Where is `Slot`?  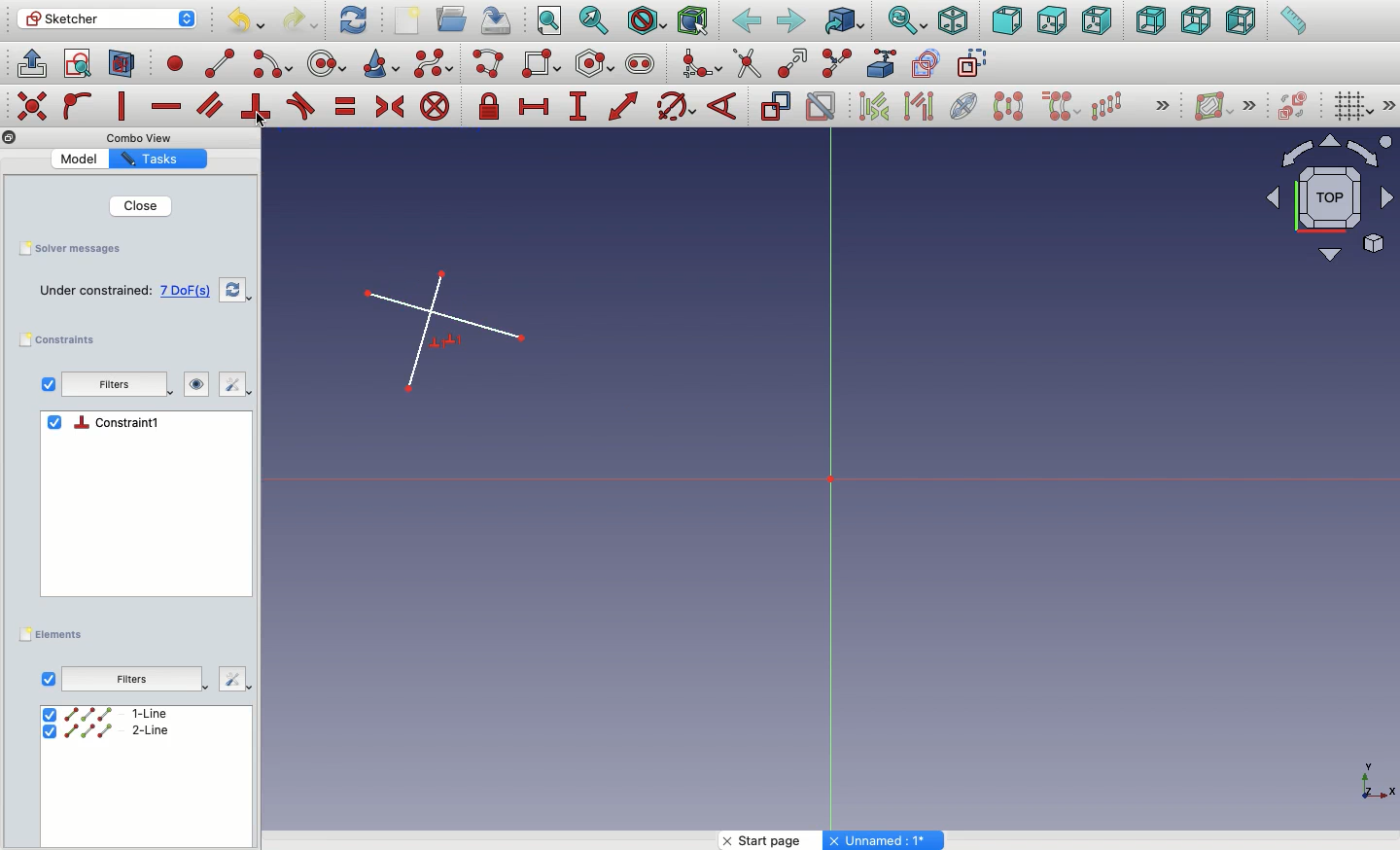
Slot is located at coordinates (641, 64).